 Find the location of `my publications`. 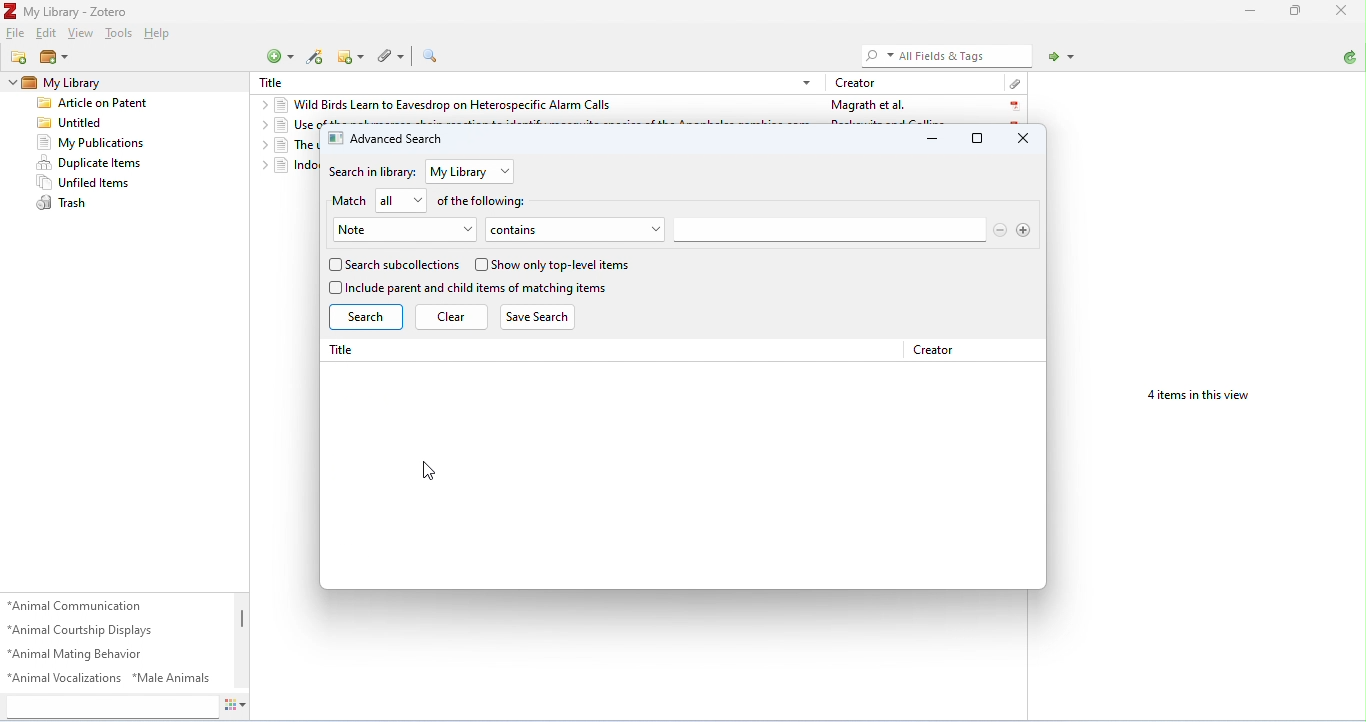

my publications is located at coordinates (90, 143).